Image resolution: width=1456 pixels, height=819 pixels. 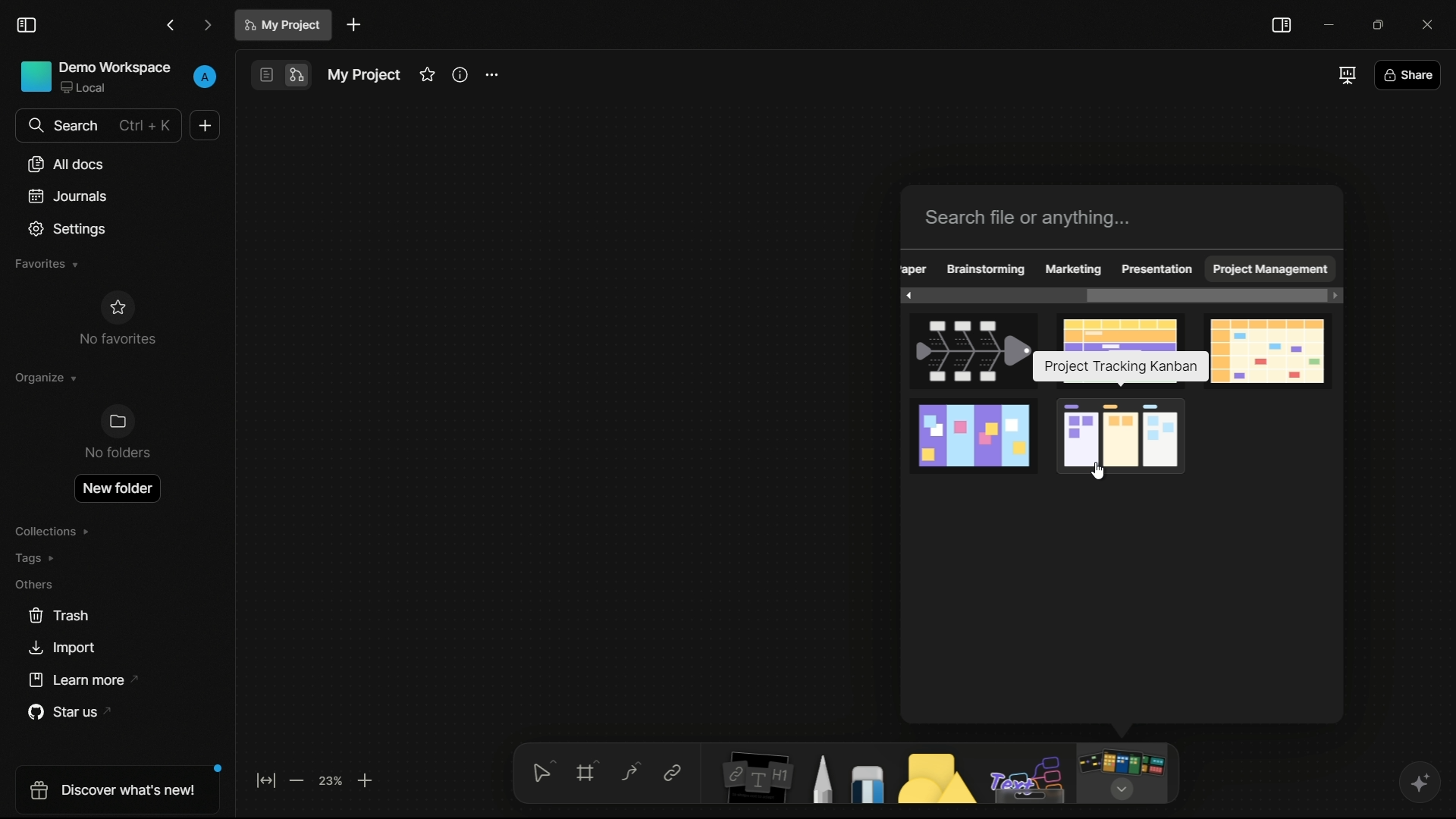 I want to click on new document, so click(x=205, y=125).